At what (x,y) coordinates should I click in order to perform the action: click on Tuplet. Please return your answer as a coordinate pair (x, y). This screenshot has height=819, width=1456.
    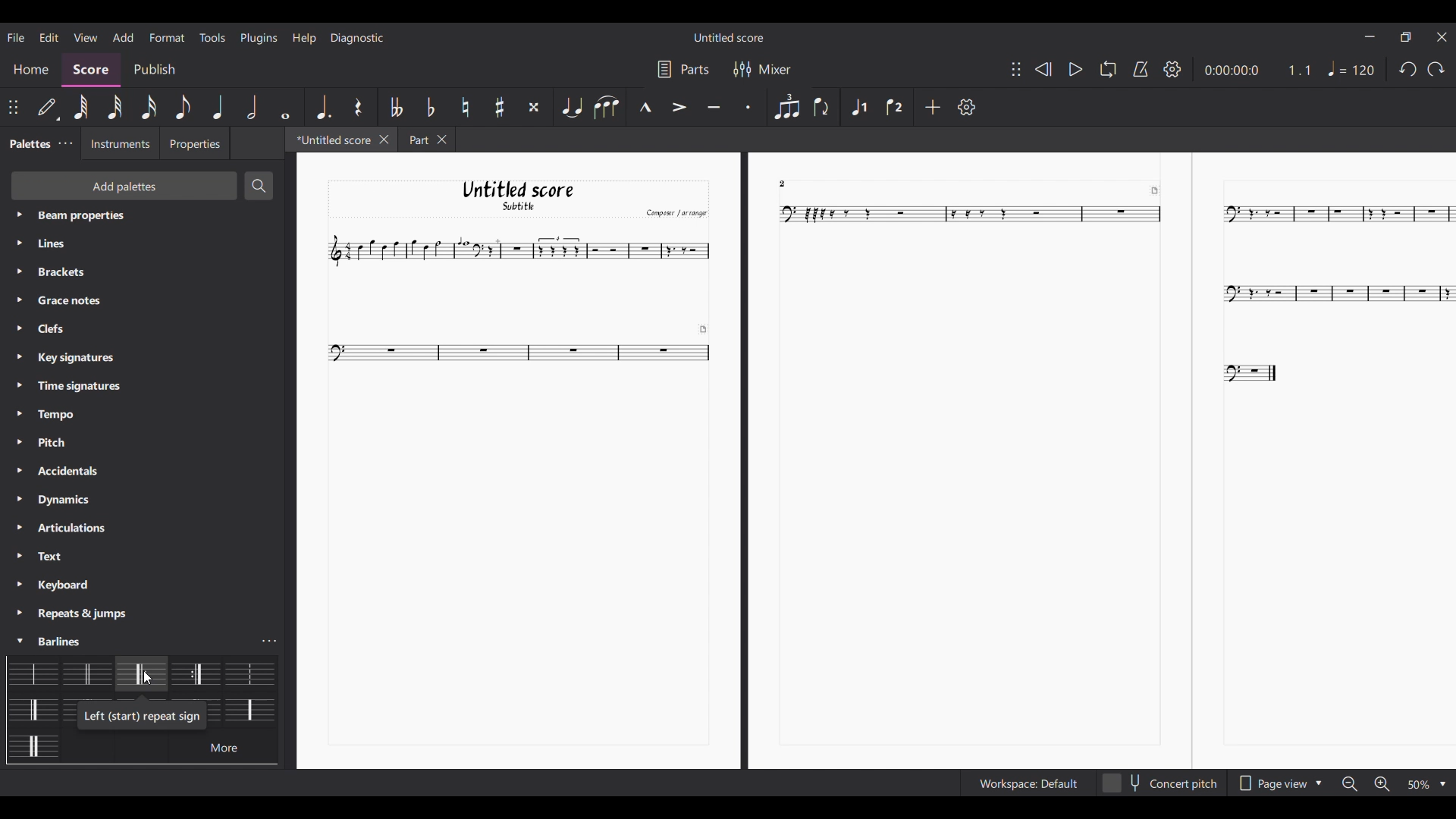
    Looking at the image, I should click on (787, 107).